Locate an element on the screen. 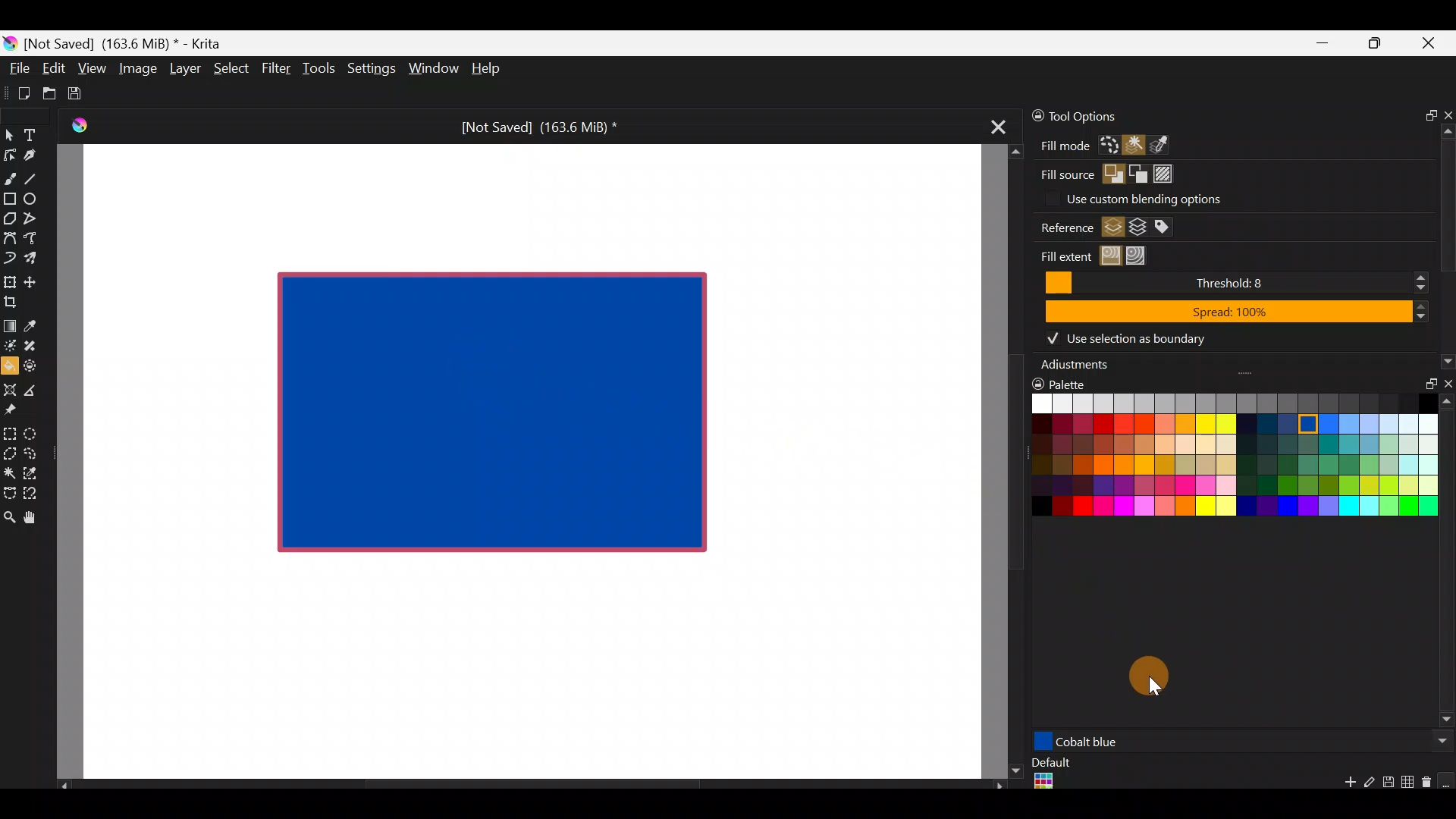 This screenshot has height=819, width=1456. Sample a colour from the image/current layer is located at coordinates (33, 323).